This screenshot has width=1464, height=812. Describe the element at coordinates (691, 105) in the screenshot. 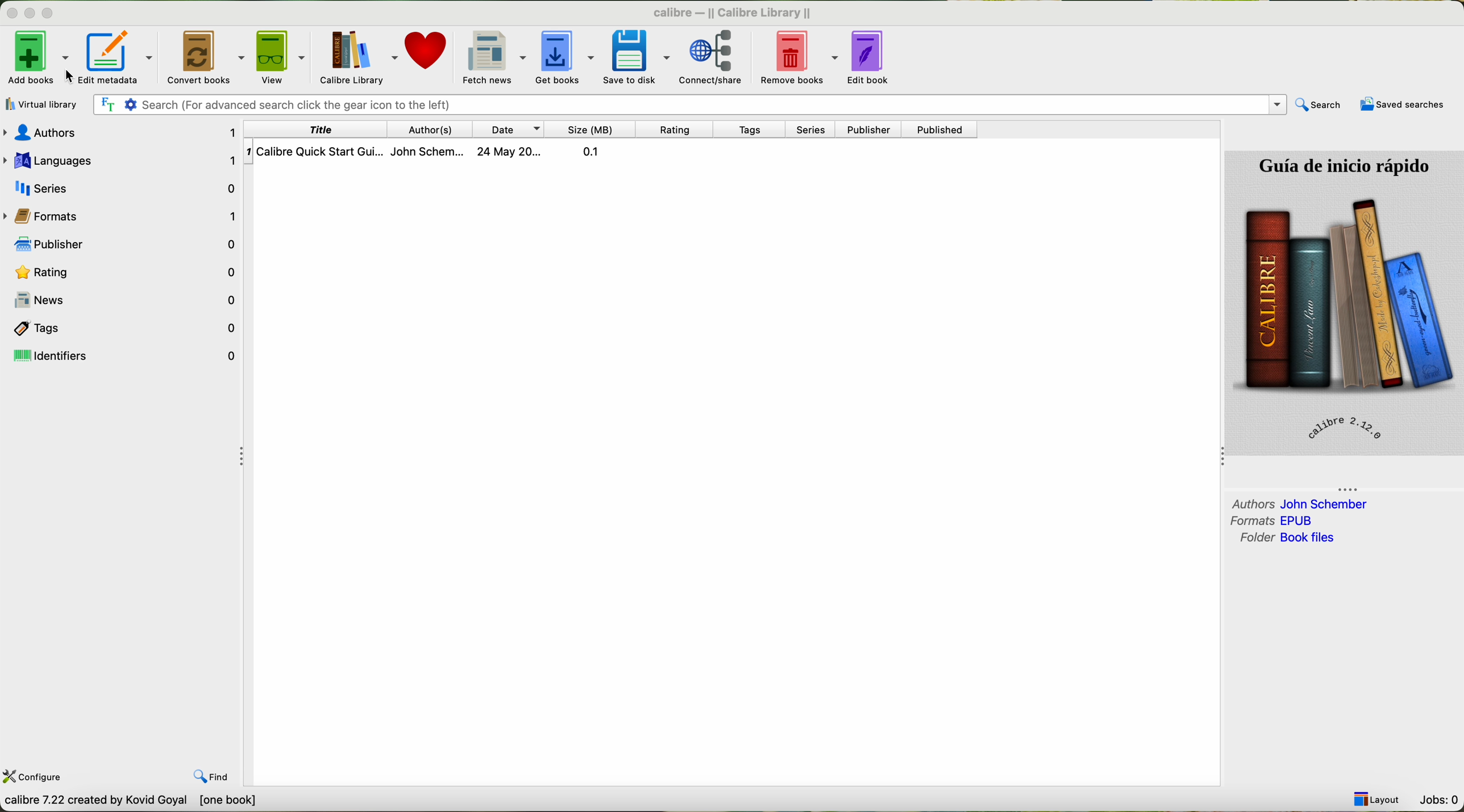

I see `search bar` at that location.